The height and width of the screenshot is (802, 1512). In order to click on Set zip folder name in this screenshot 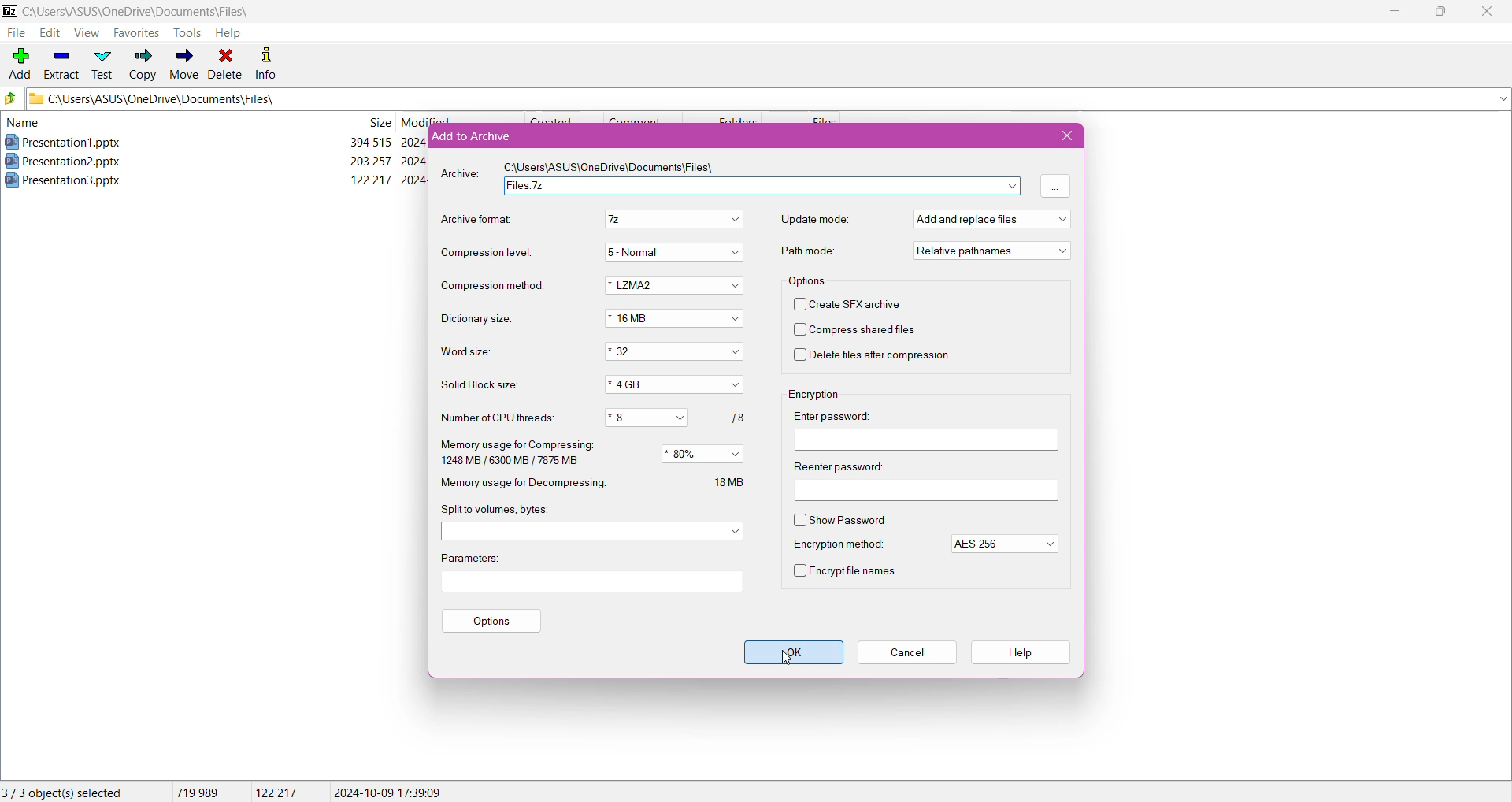, I will do `click(762, 187)`.